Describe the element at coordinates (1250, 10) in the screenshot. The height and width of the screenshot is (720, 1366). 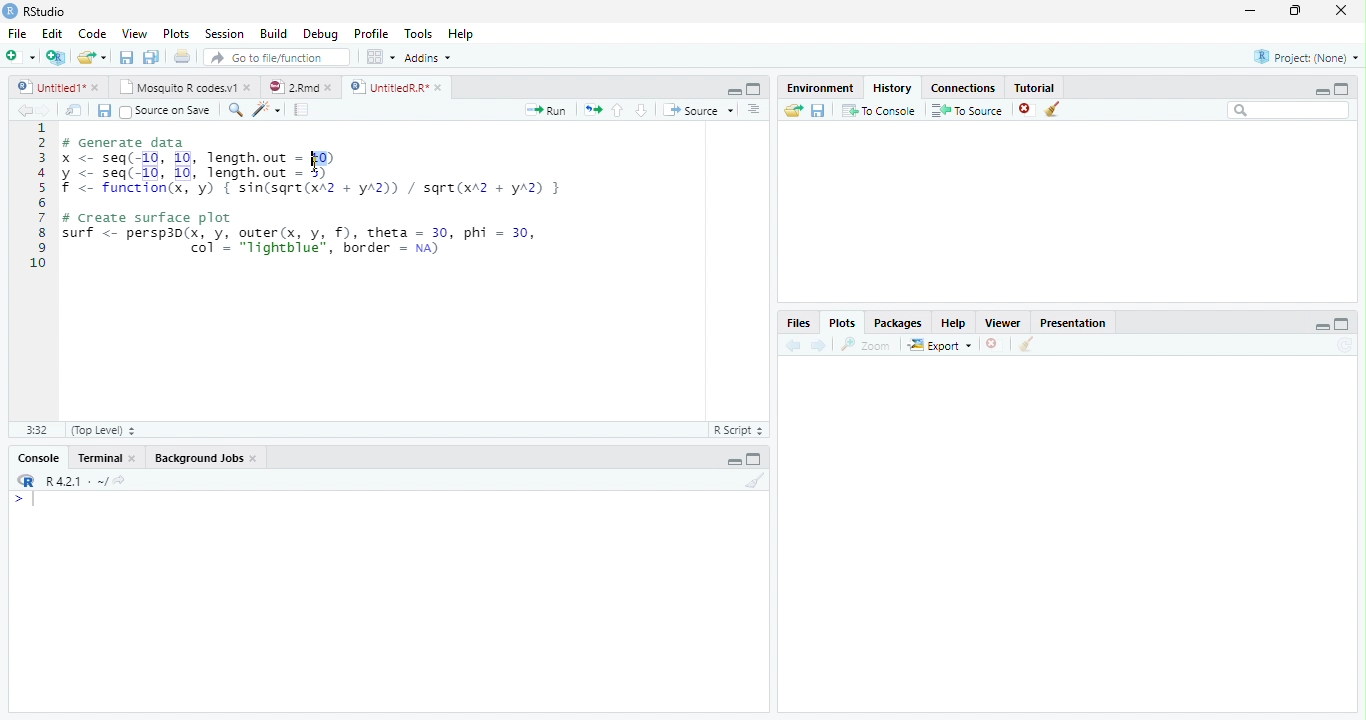
I see `minimize` at that location.